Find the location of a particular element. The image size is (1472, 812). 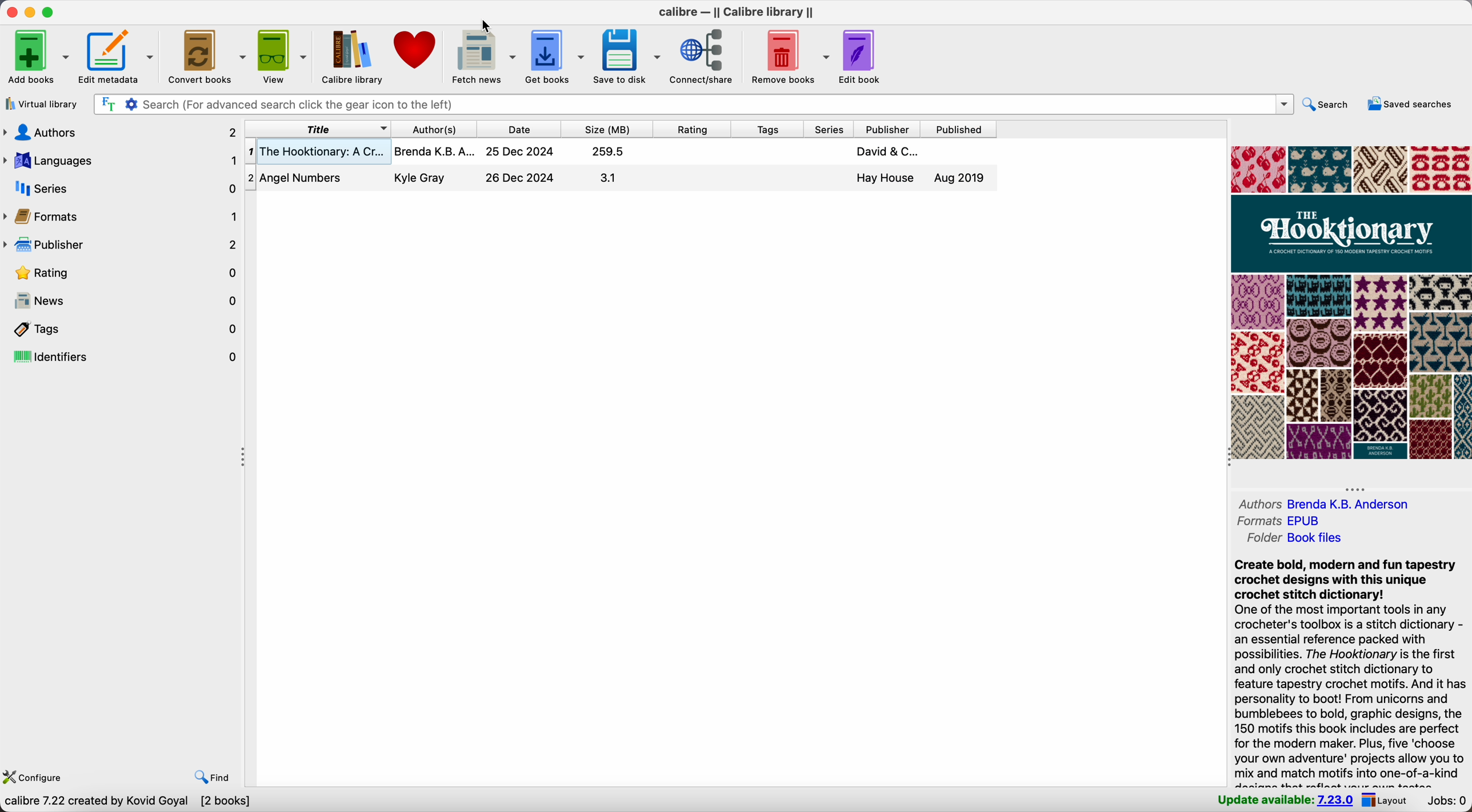

author(s) is located at coordinates (433, 129).